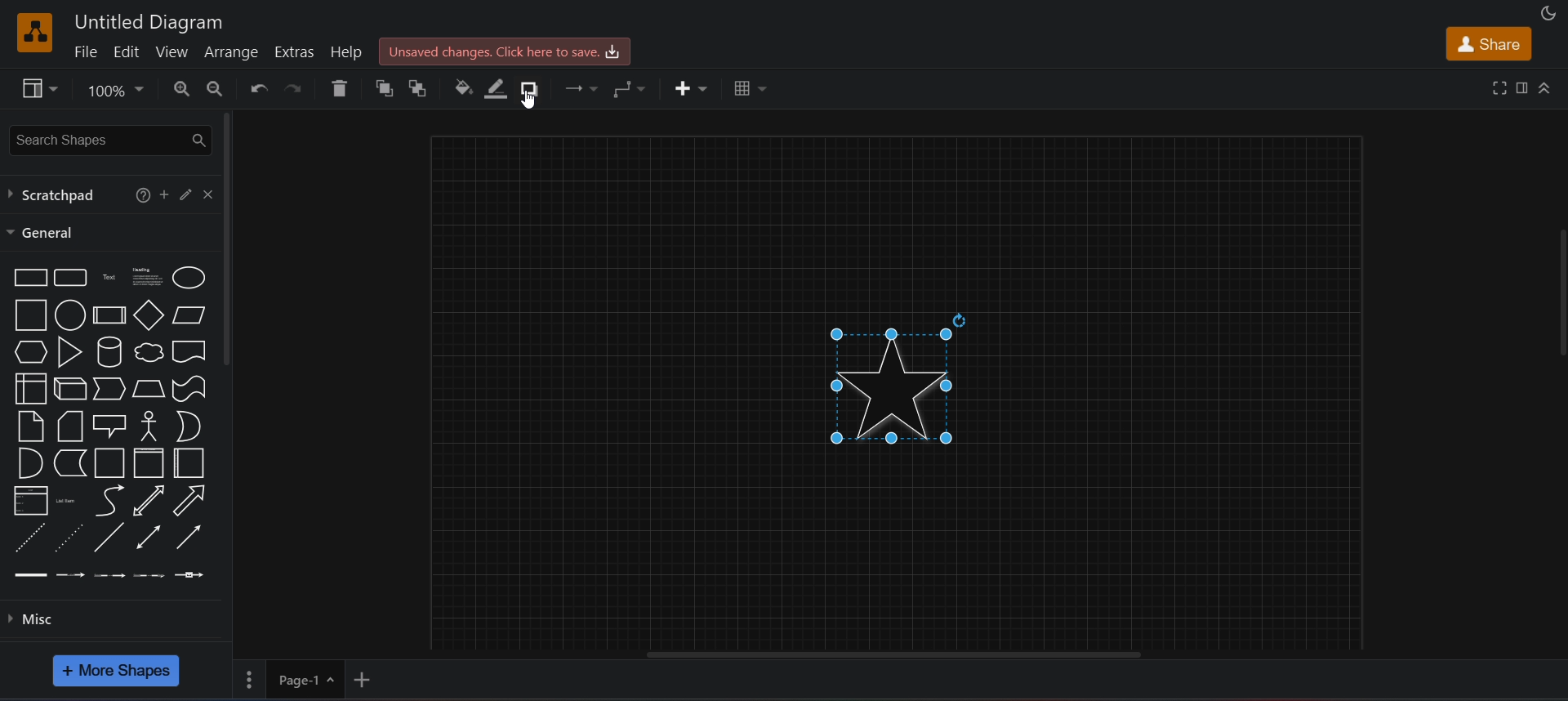 The height and width of the screenshot is (701, 1568). I want to click on horizontal container, so click(189, 463).